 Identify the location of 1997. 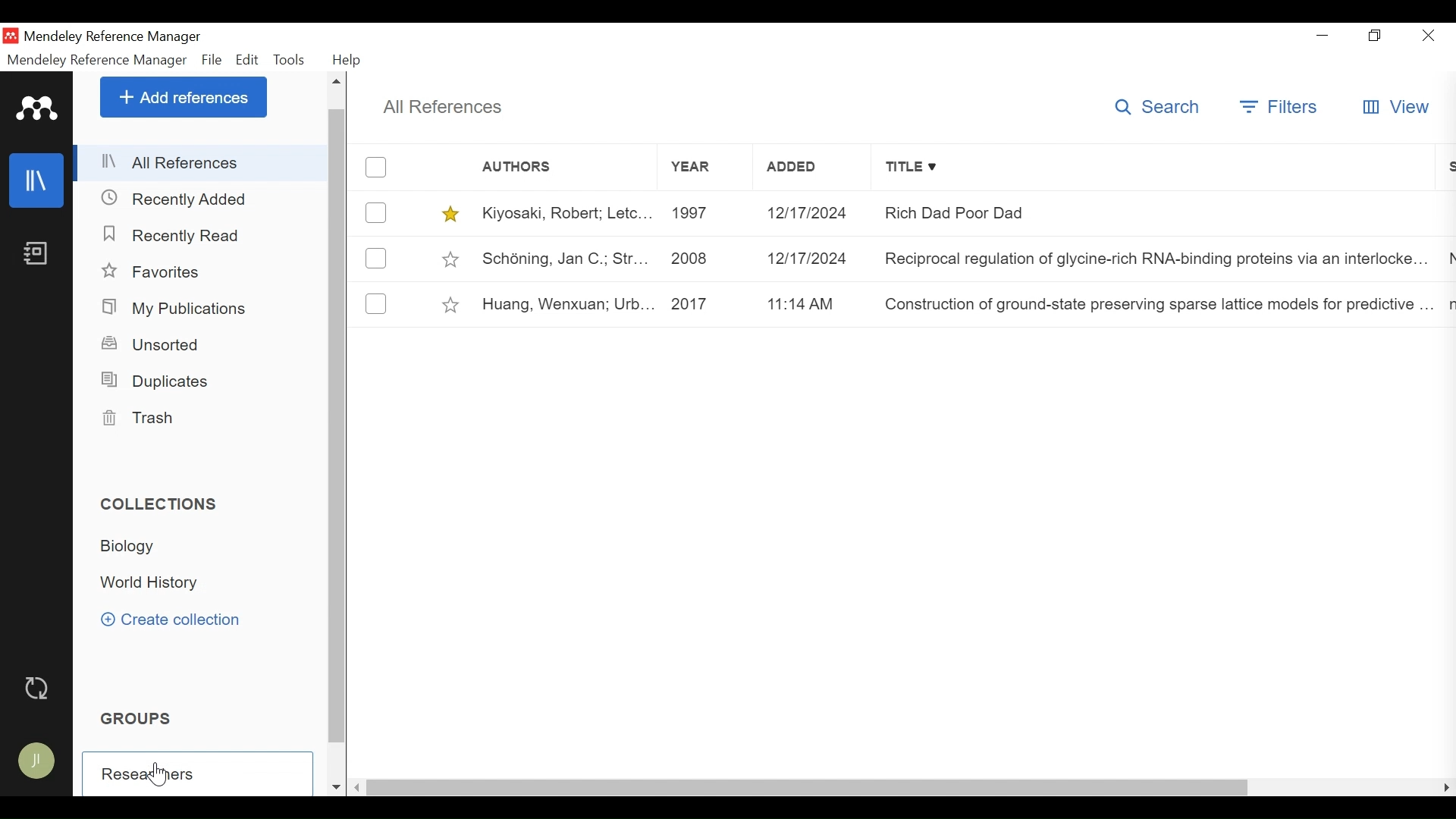
(704, 214).